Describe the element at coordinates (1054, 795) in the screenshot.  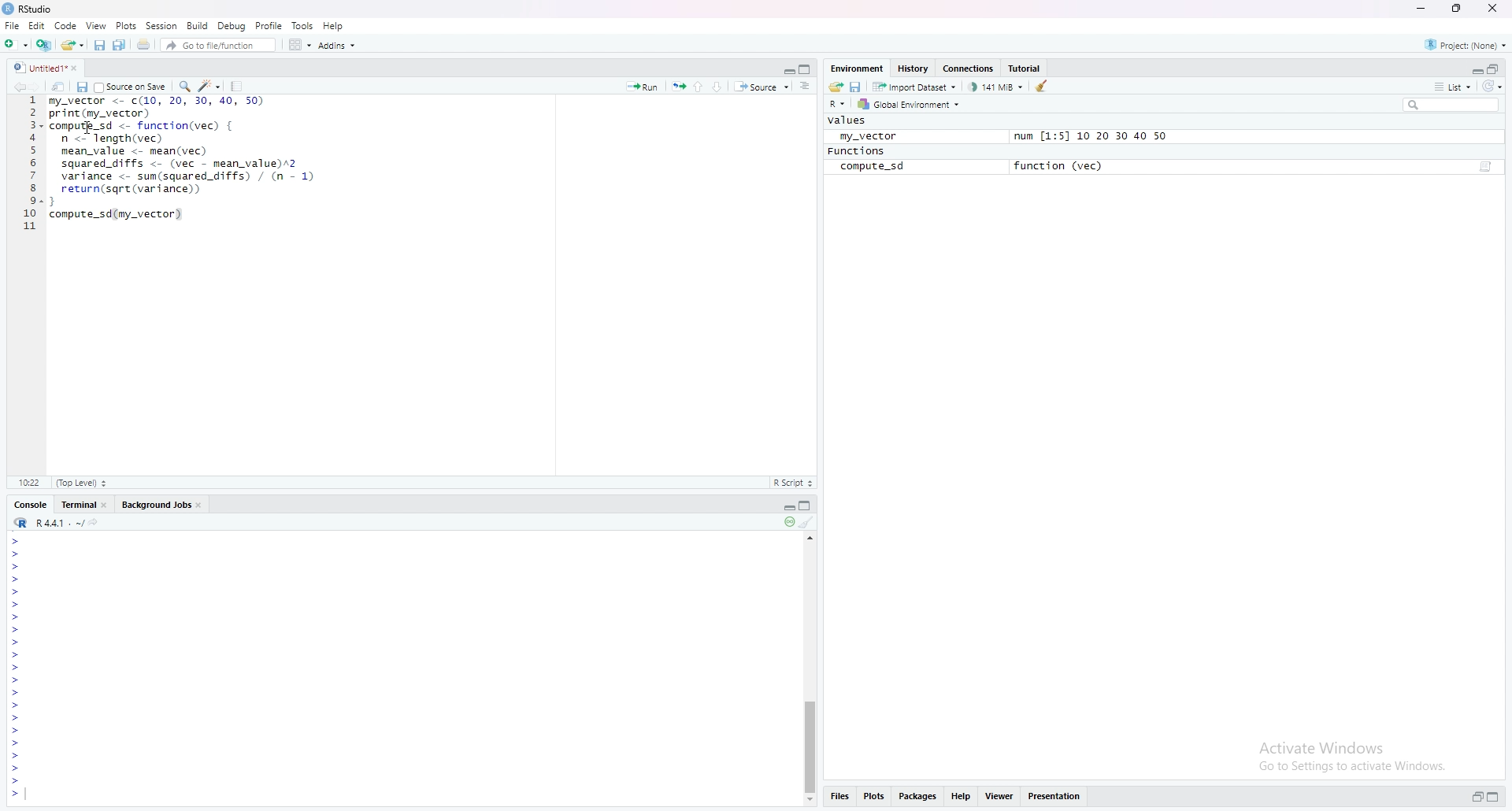
I see `Presentation` at that location.